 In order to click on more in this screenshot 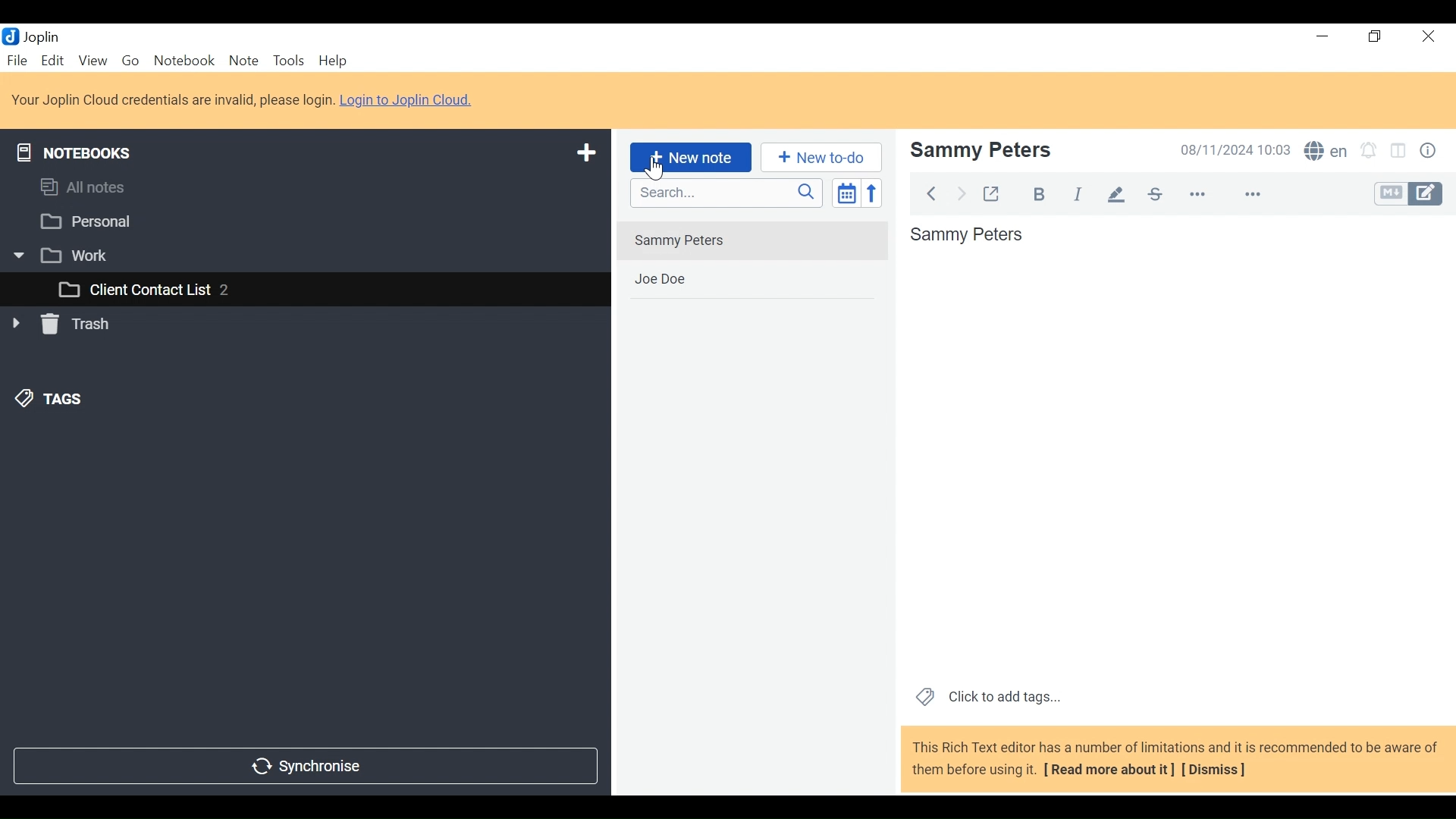, I will do `click(1226, 195)`.